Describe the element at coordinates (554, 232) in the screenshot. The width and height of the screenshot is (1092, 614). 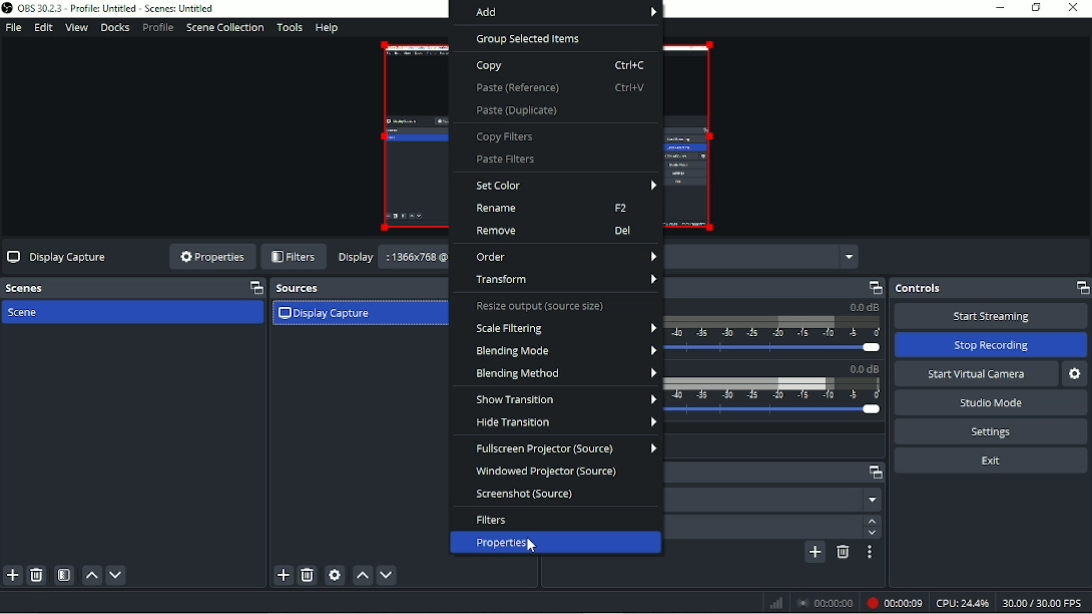
I see `Remove` at that location.